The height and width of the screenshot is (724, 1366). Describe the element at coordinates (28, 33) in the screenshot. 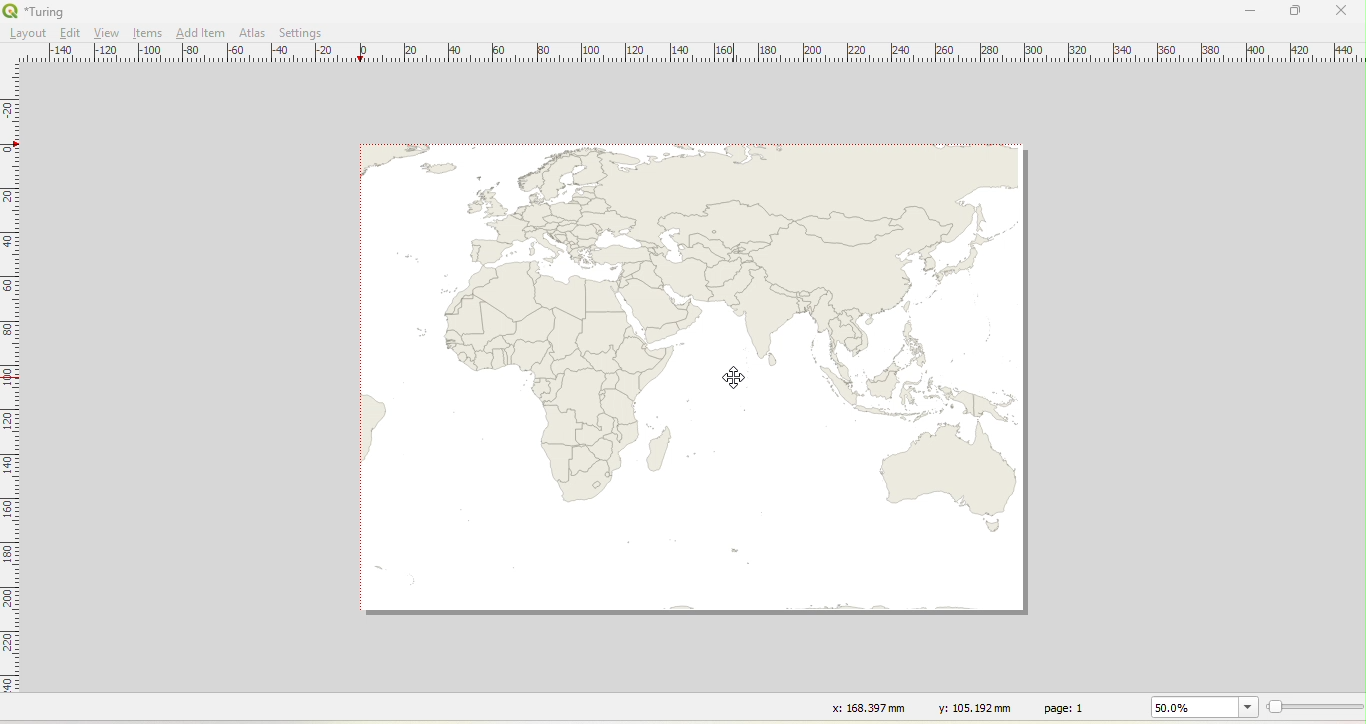

I see `Layout` at that location.